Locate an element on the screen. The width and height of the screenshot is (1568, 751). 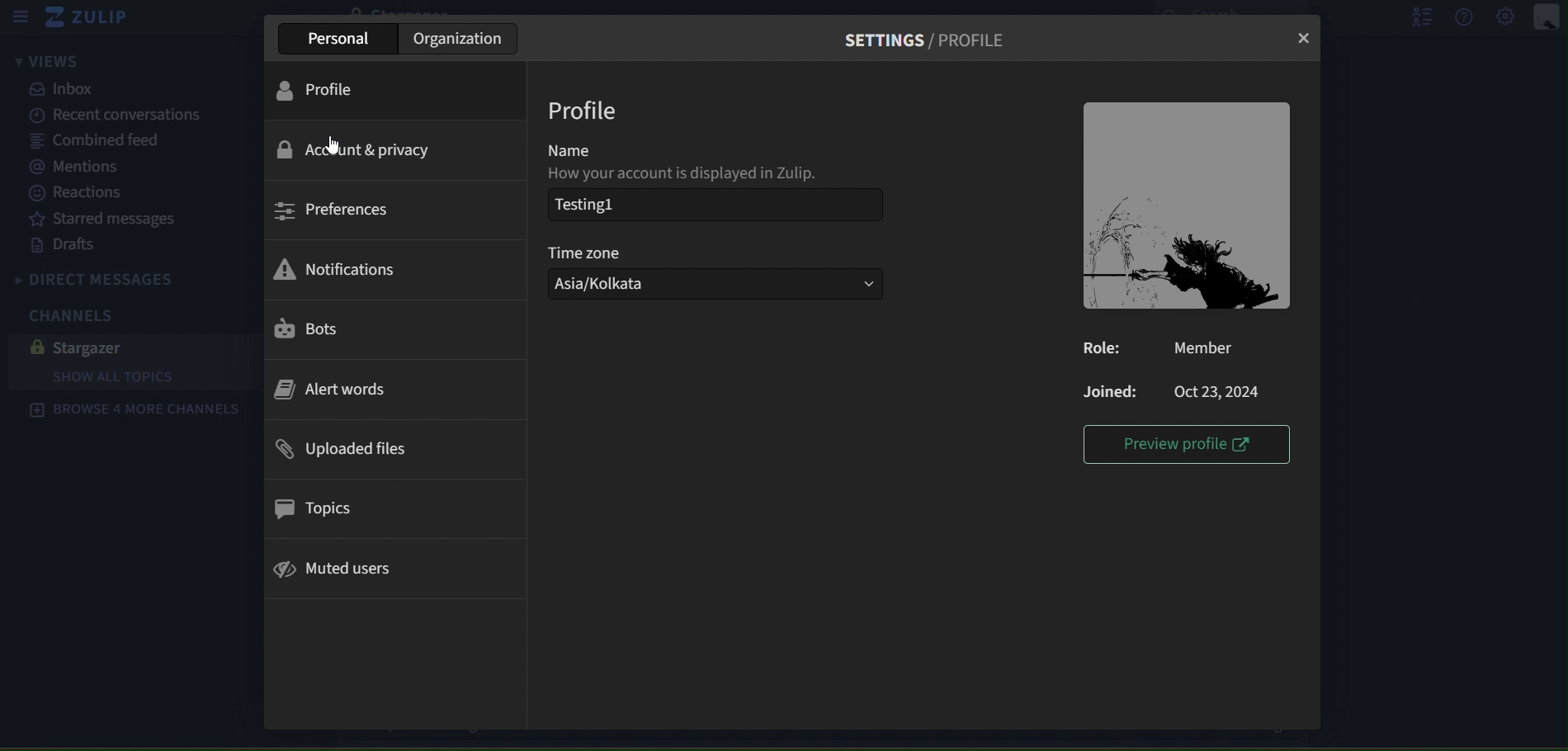
muted users is located at coordinates (339, 568).